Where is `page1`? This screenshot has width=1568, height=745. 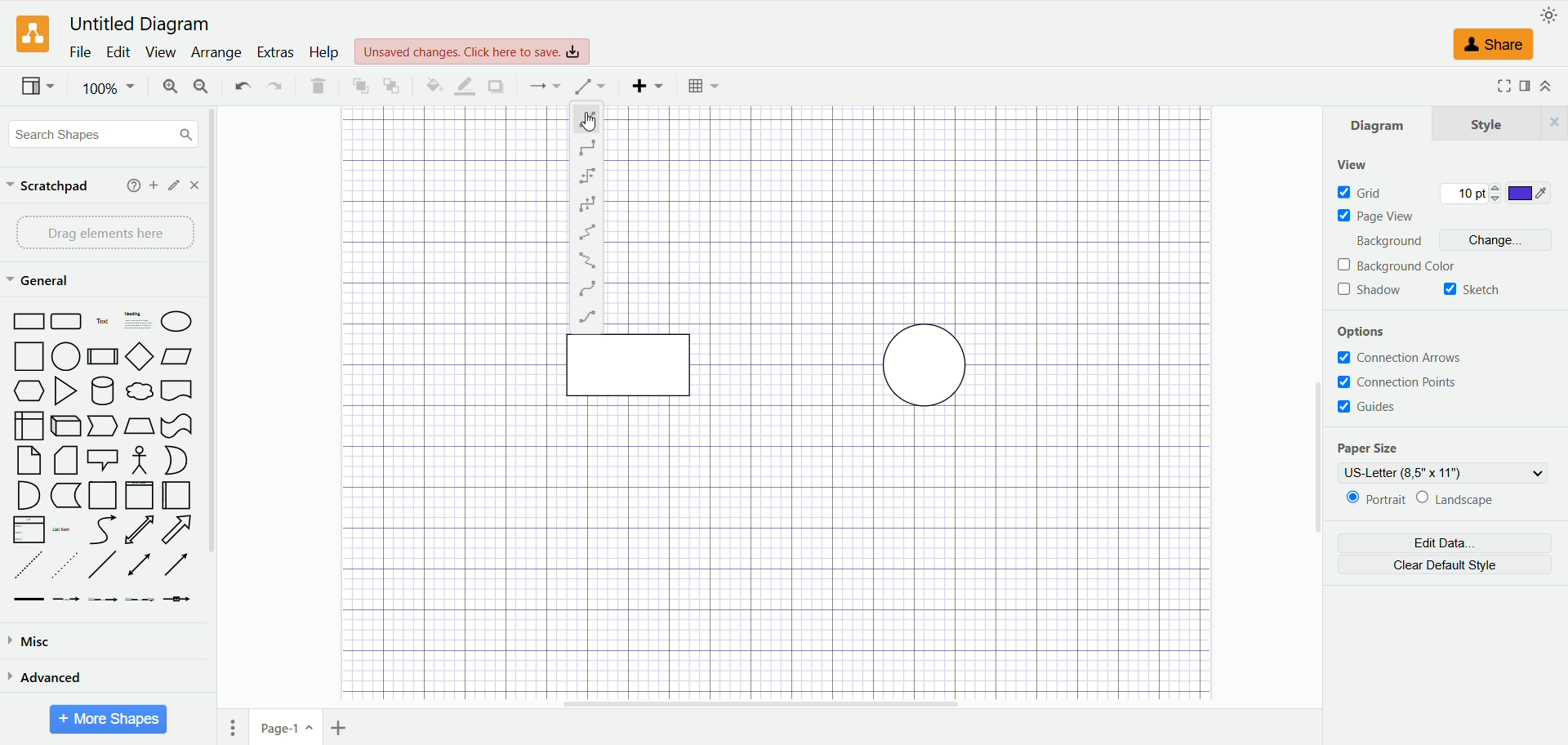 page1 is located at coordinates (287, 727).